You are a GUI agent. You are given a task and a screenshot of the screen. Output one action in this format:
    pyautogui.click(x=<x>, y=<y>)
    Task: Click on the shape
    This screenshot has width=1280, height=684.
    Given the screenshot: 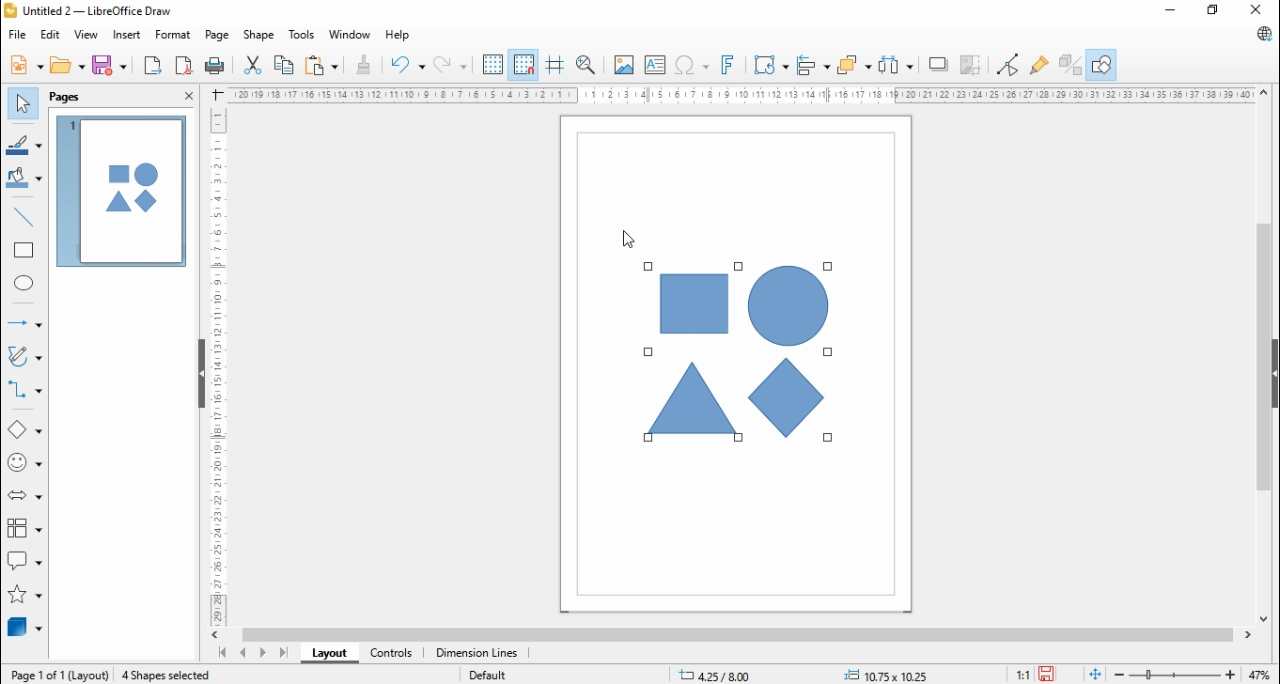 What is the action you would take?
    pyautogui.click(x=258, y=35)
    